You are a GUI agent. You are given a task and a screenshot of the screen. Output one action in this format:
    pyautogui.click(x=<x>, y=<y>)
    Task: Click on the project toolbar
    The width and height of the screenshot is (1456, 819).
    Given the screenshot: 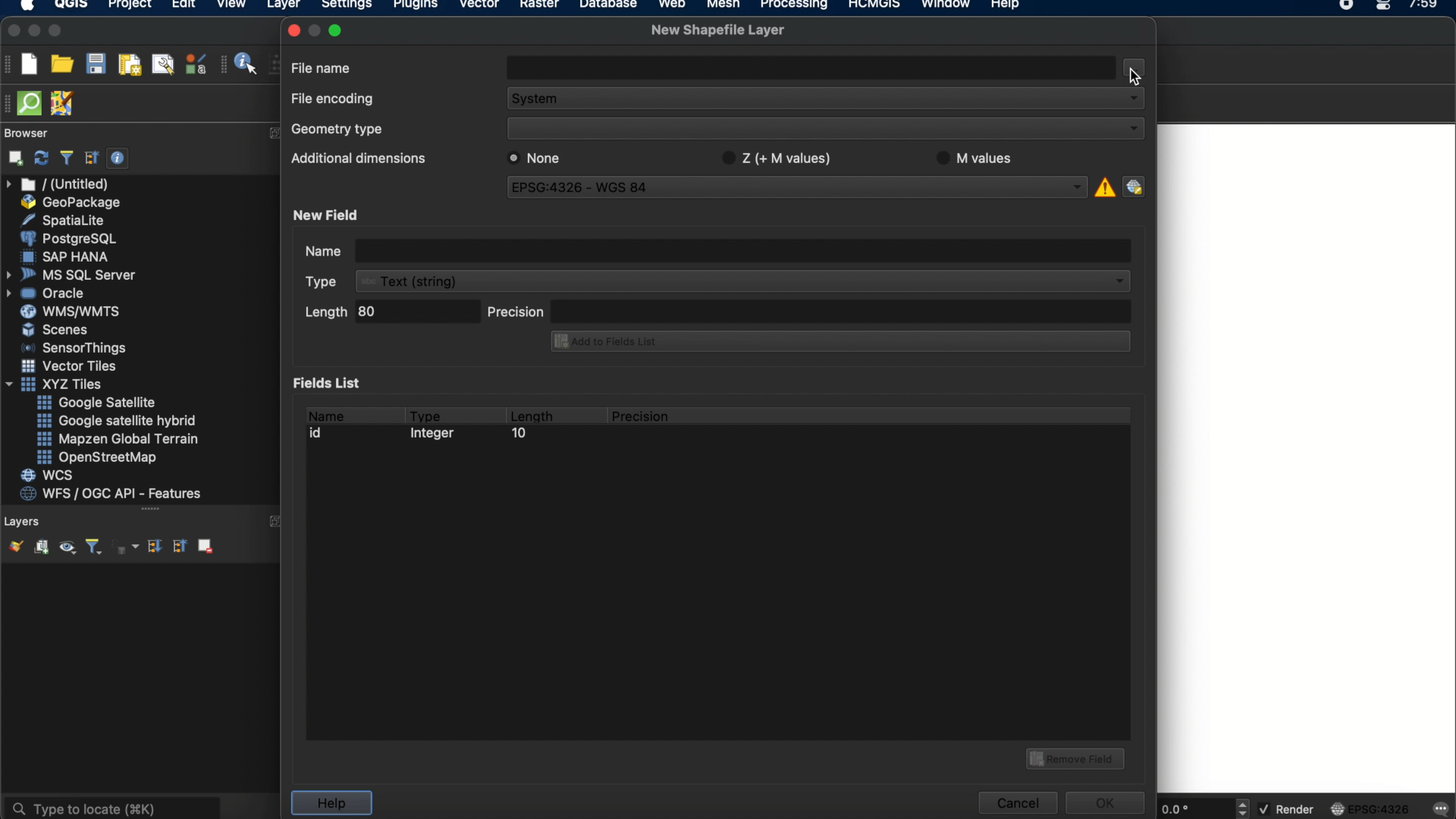 What is the action you would take?
    pyautogui.click(x=9, y=64)
    